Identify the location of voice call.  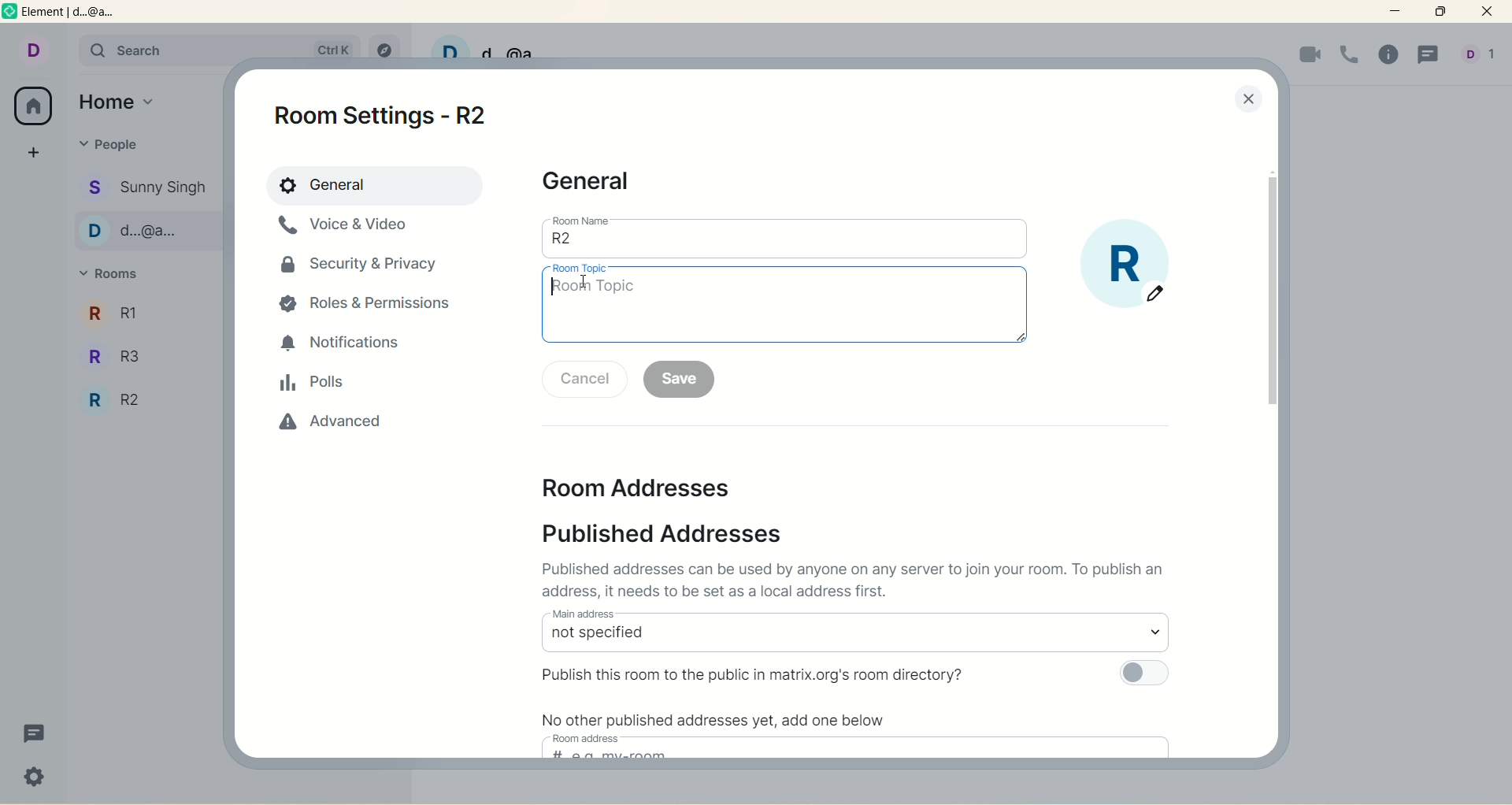
(1350, 54).